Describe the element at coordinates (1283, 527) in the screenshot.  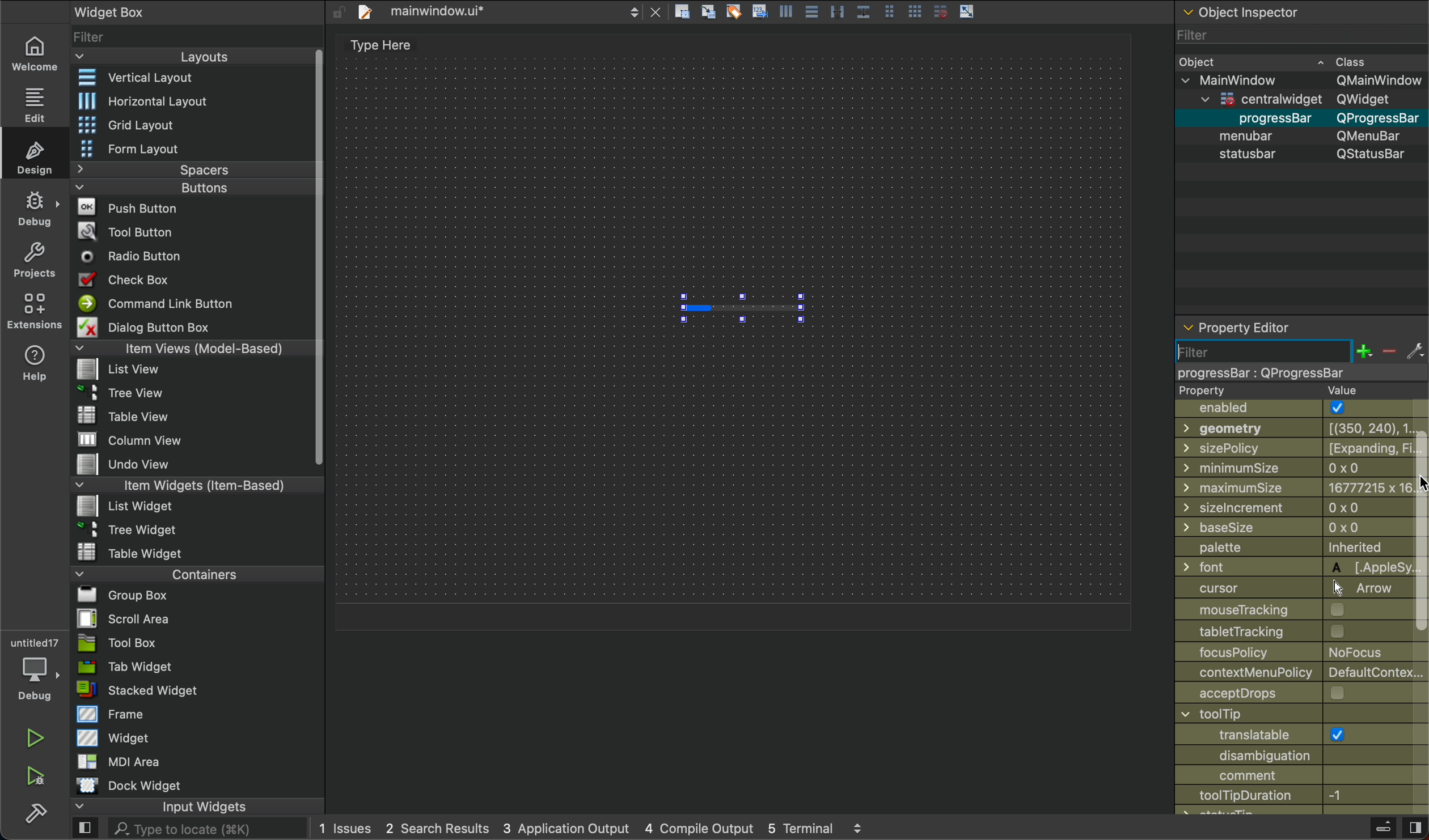
I see `base size` at that location.